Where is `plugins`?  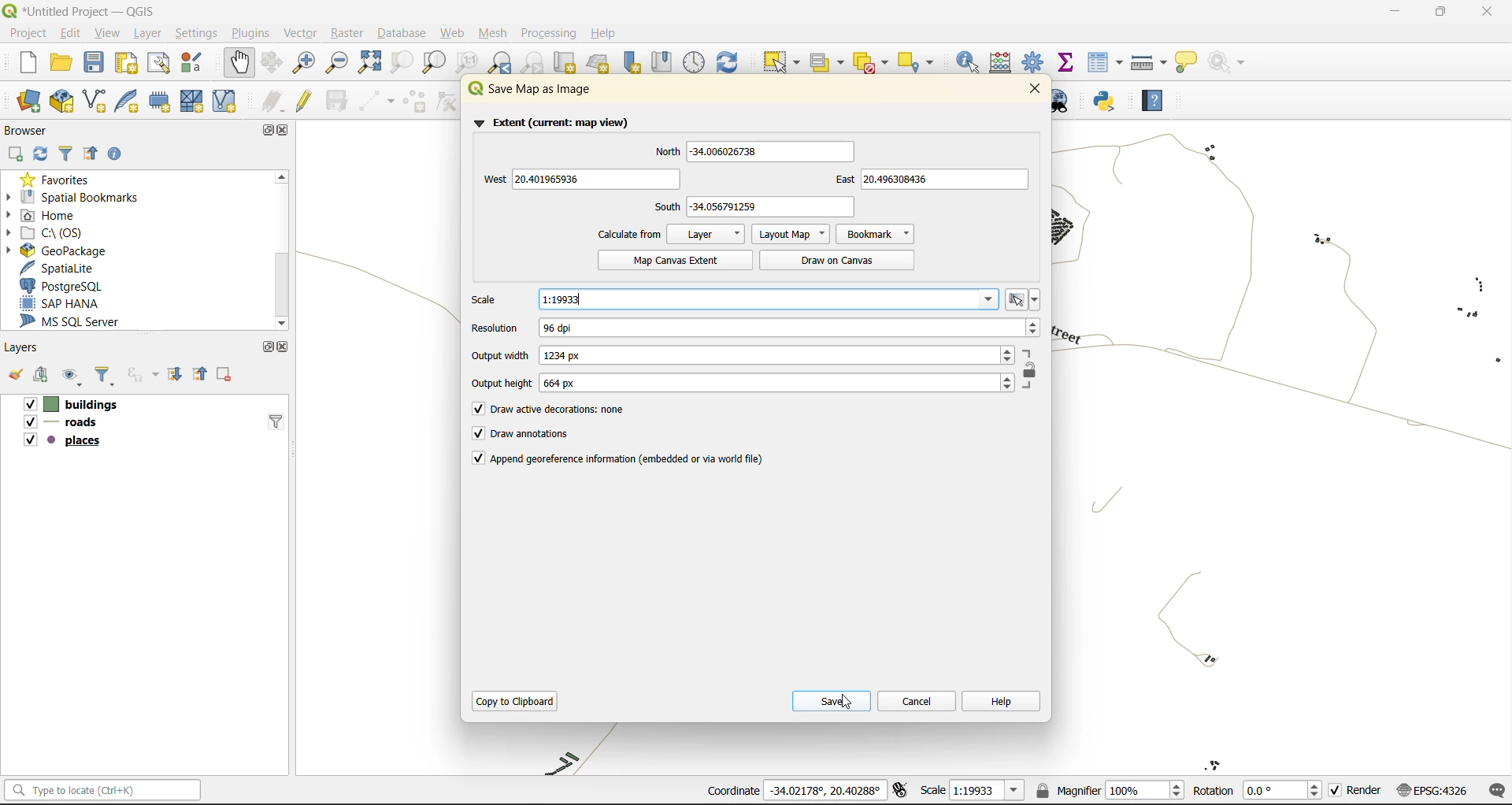 plugins is located at coordinates (250, 33).